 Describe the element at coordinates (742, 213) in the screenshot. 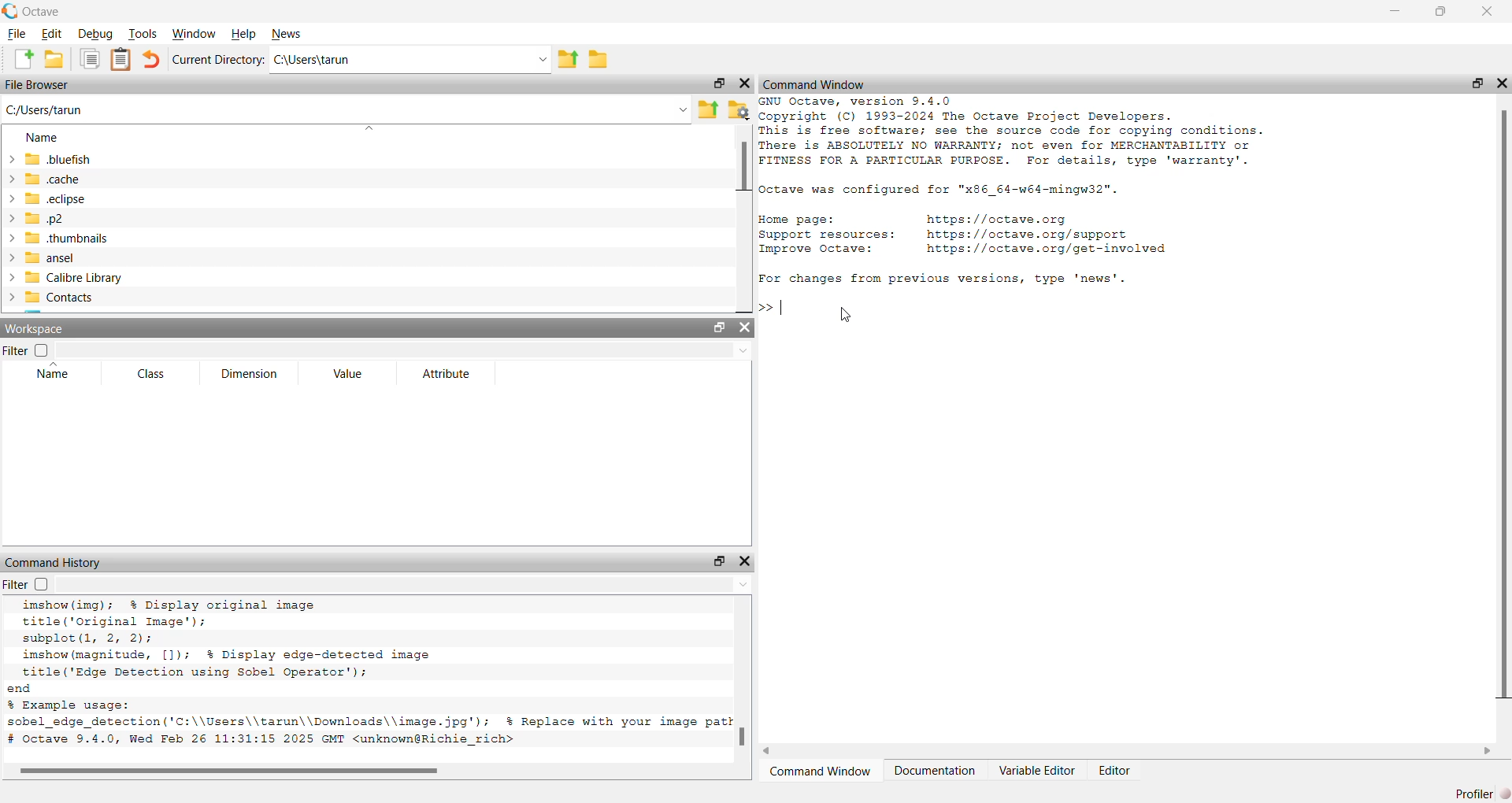

I see `vertical scroll bar` at that location.